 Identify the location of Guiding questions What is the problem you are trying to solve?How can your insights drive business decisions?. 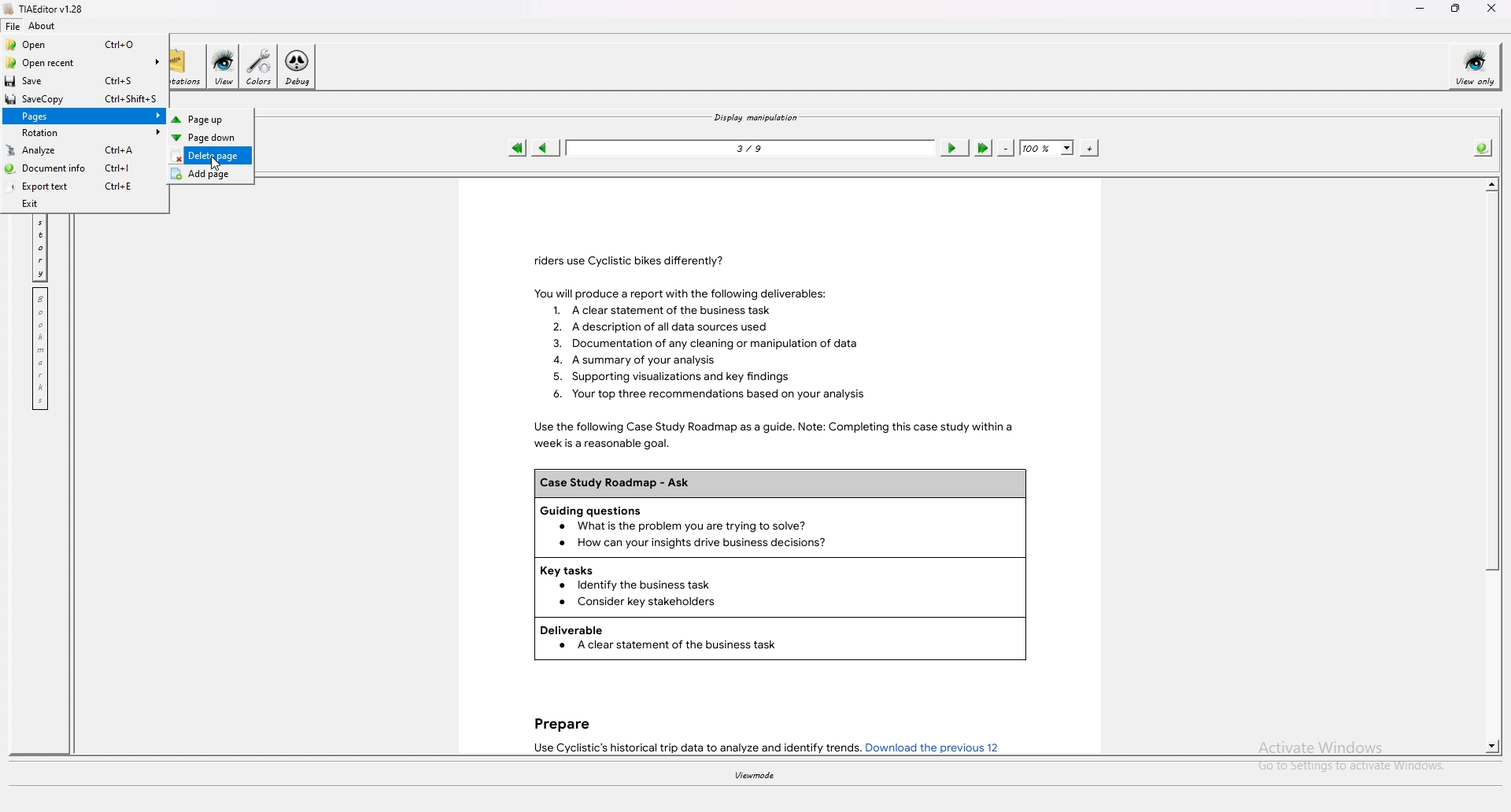
(781, 529).